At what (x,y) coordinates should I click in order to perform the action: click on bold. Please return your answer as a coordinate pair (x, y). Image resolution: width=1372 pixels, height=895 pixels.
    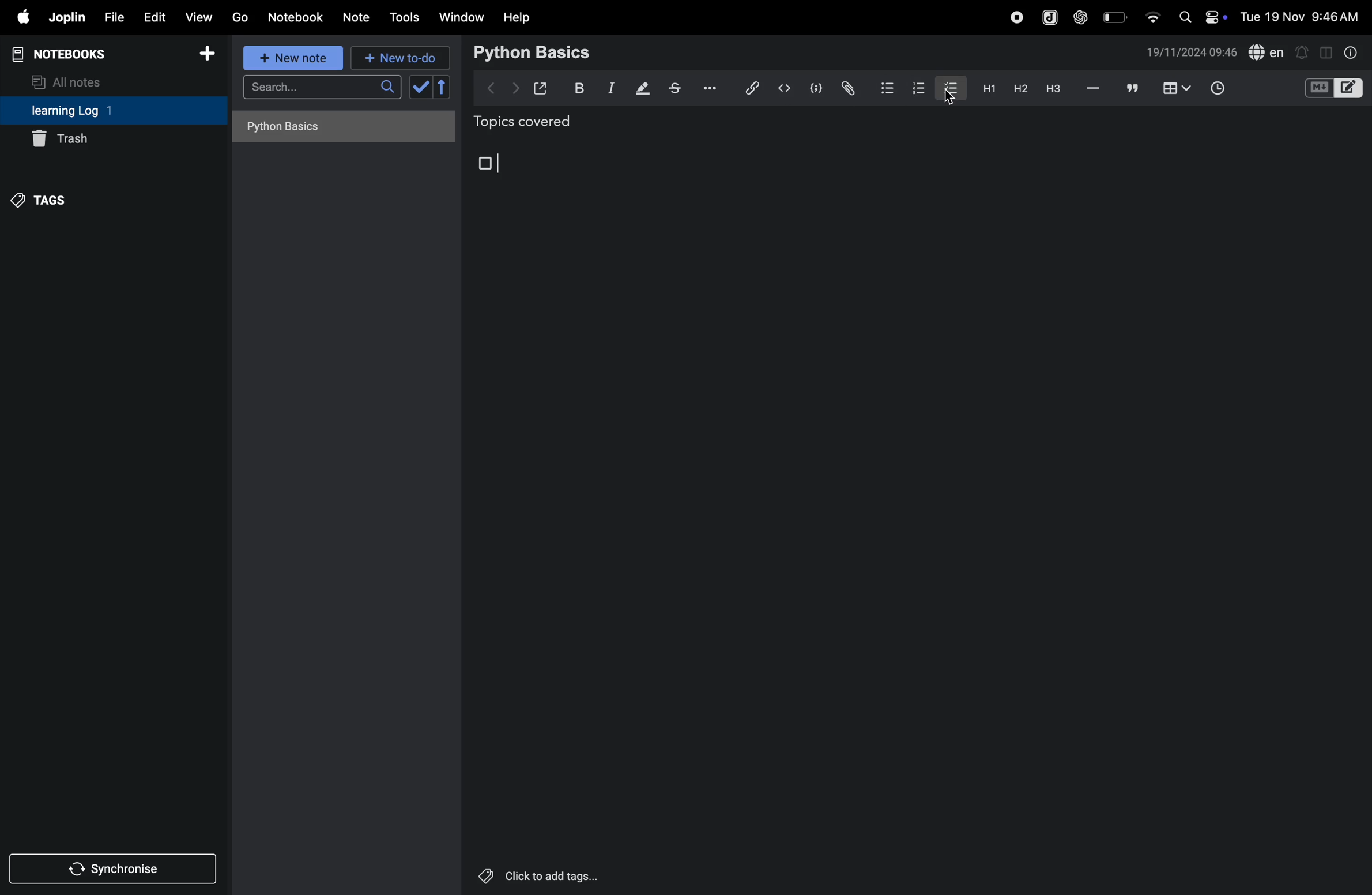
    Looking at the image, I should click on (576, 88).